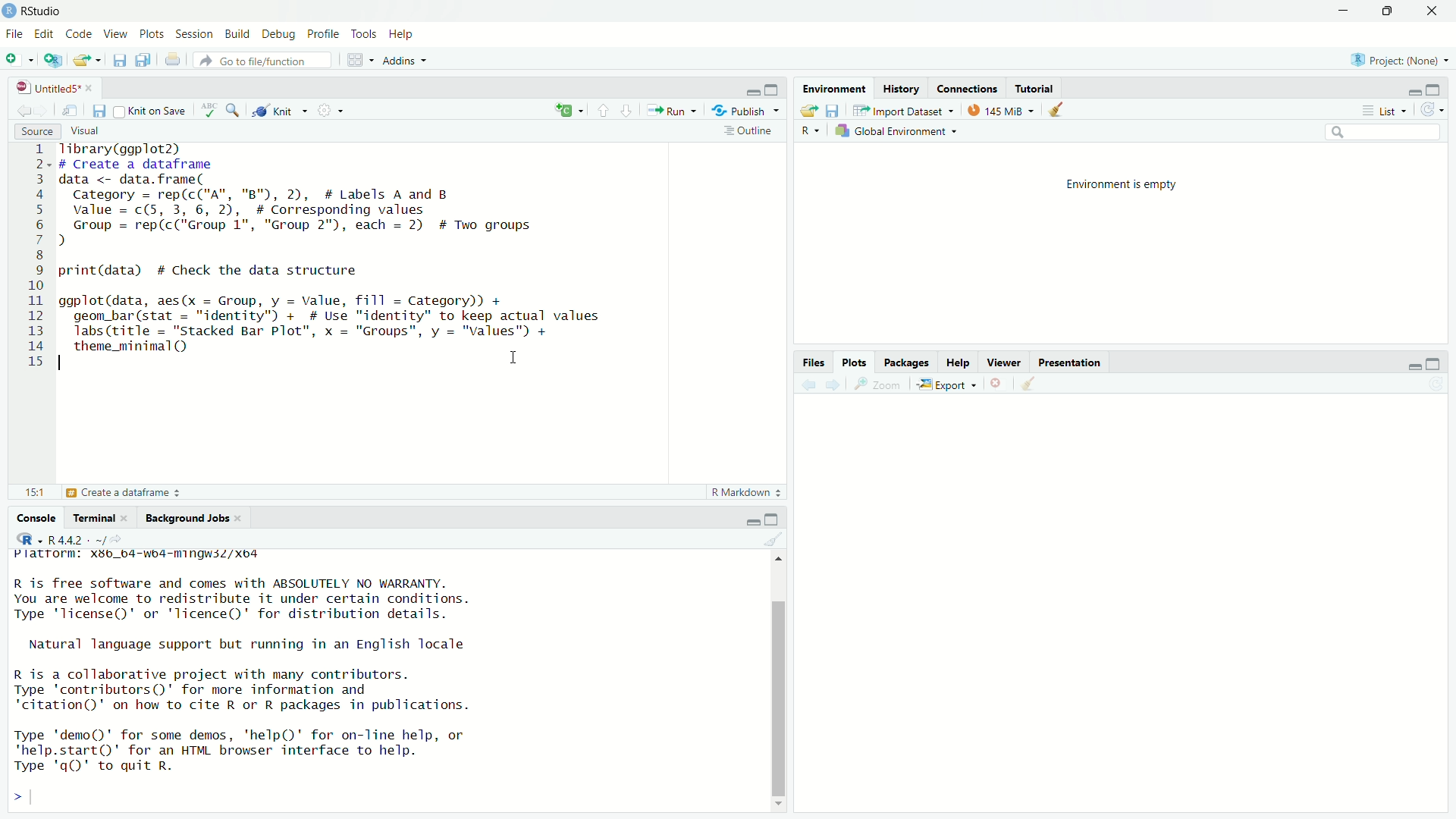 The height and width of the screenshot is (819, 1456). What do you see at coordinates (35, 491) in the screenshot?
I see `15:1` at bounding box center [35, 491].